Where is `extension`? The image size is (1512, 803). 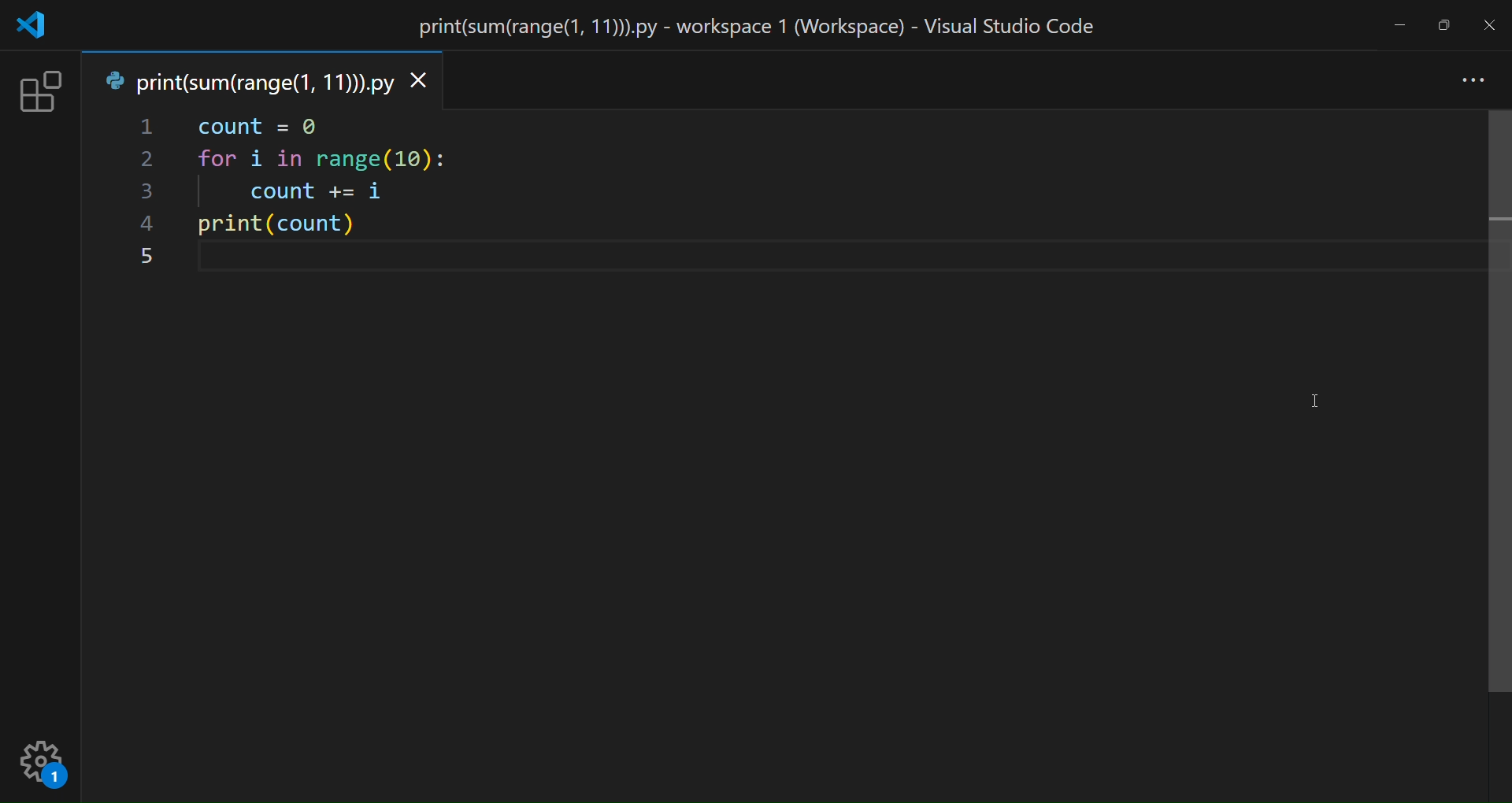
extension is located at coordinates (40, 93).